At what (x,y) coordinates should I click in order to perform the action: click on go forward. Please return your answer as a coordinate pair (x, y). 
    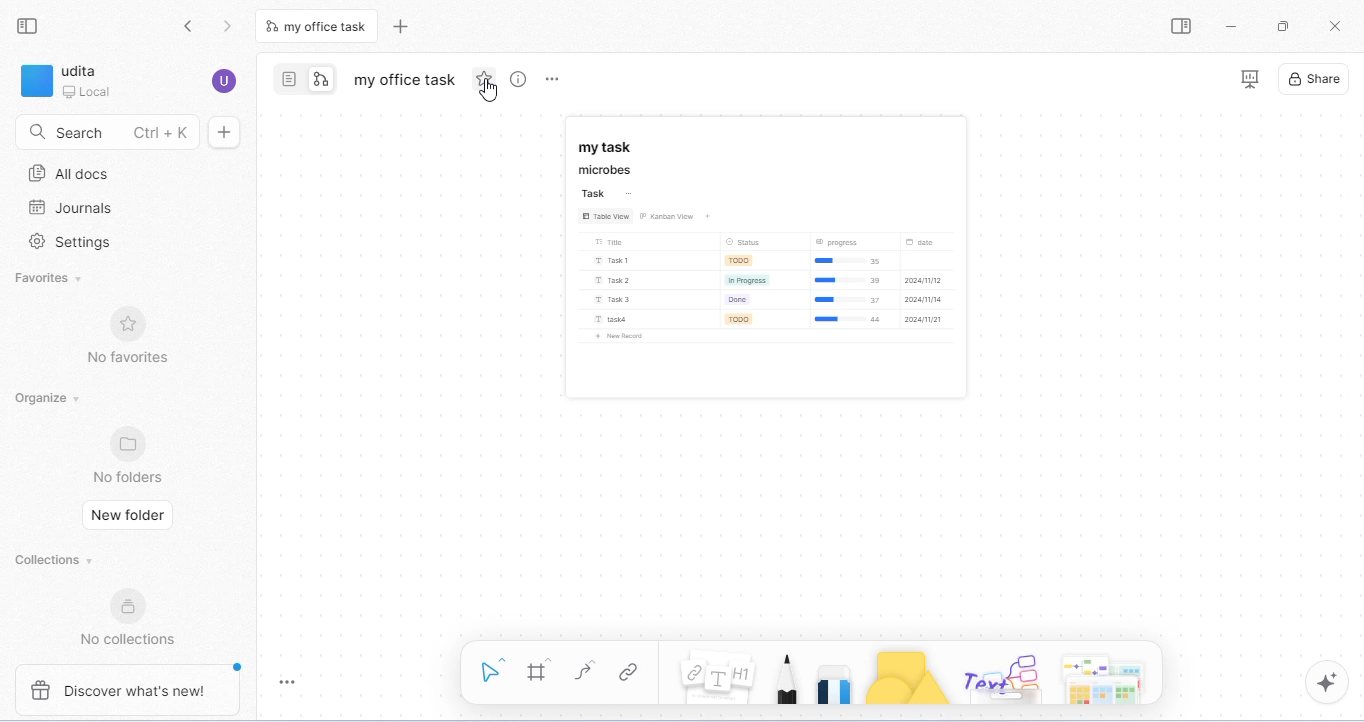
    Looking at the image, I should click on (228, 27).